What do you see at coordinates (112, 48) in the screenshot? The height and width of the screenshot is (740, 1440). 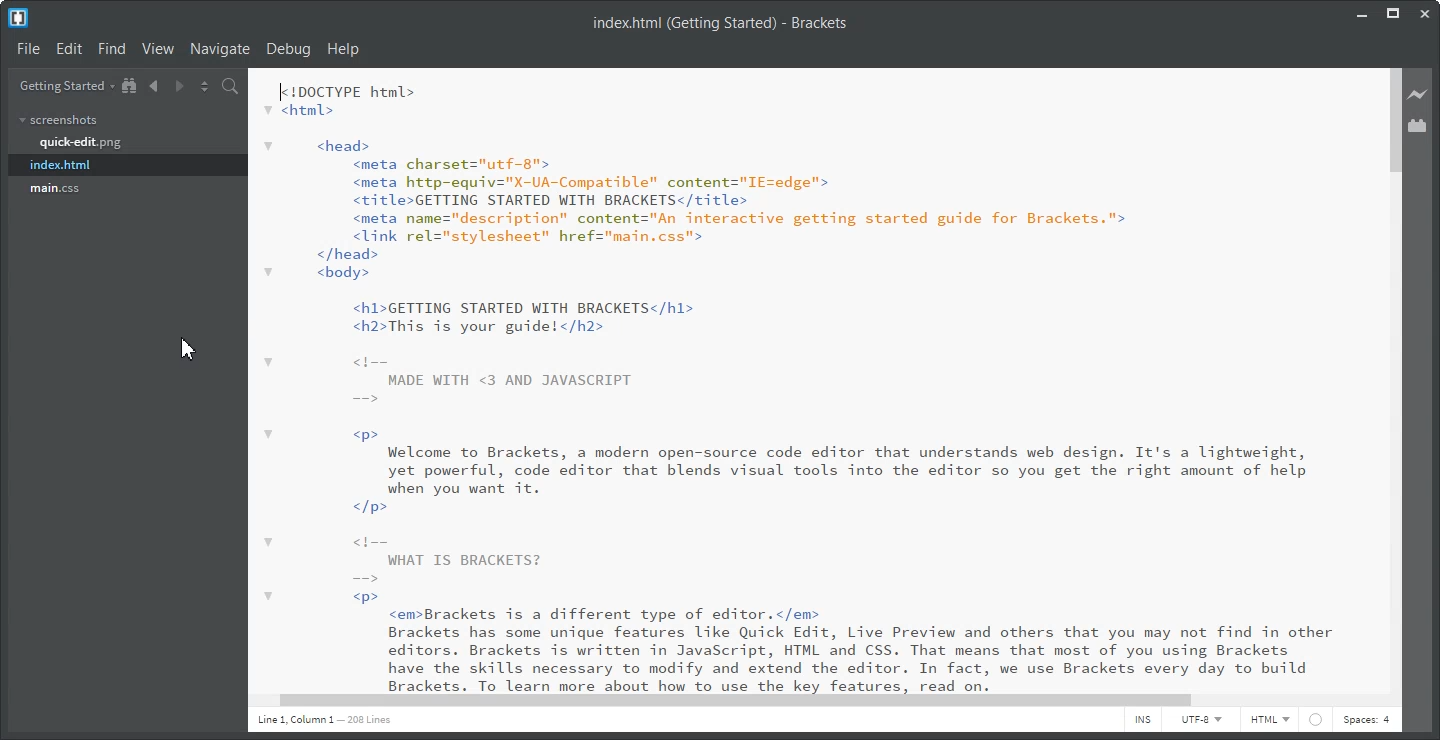 I see `Find` at bounding box center [112, 48].